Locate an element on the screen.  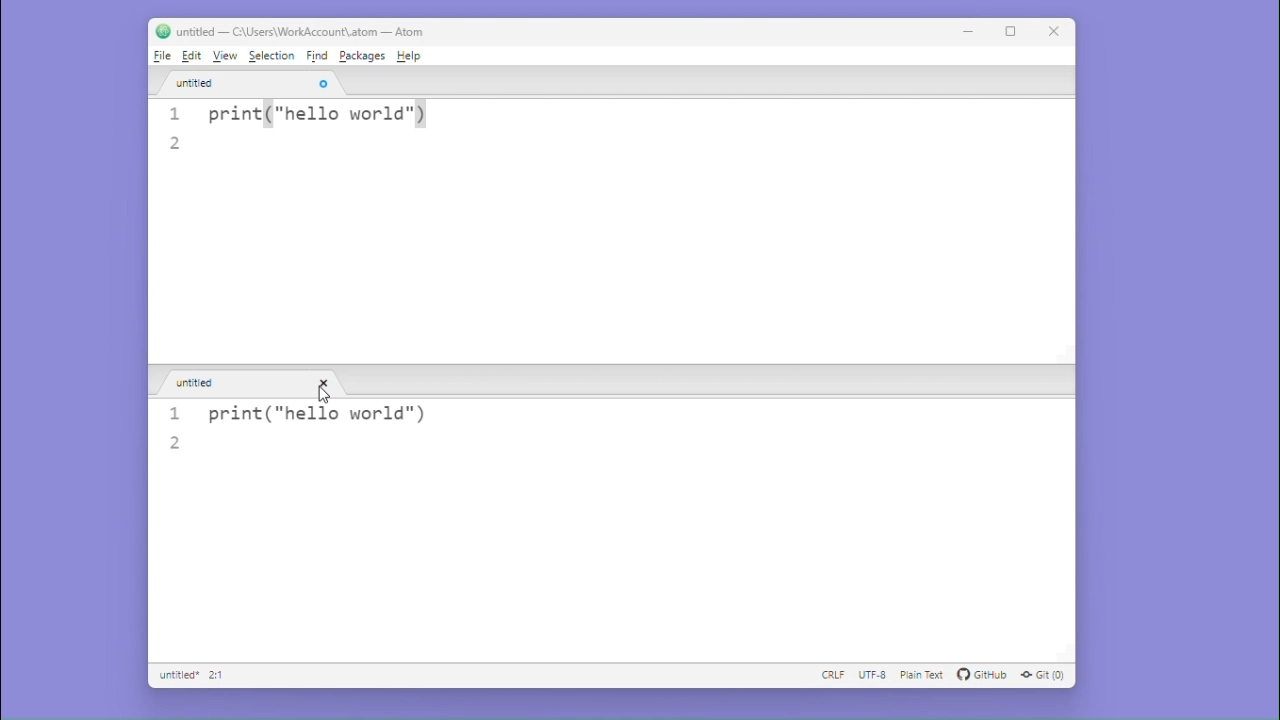
Git (0) is located at coordinates (1044, 677).